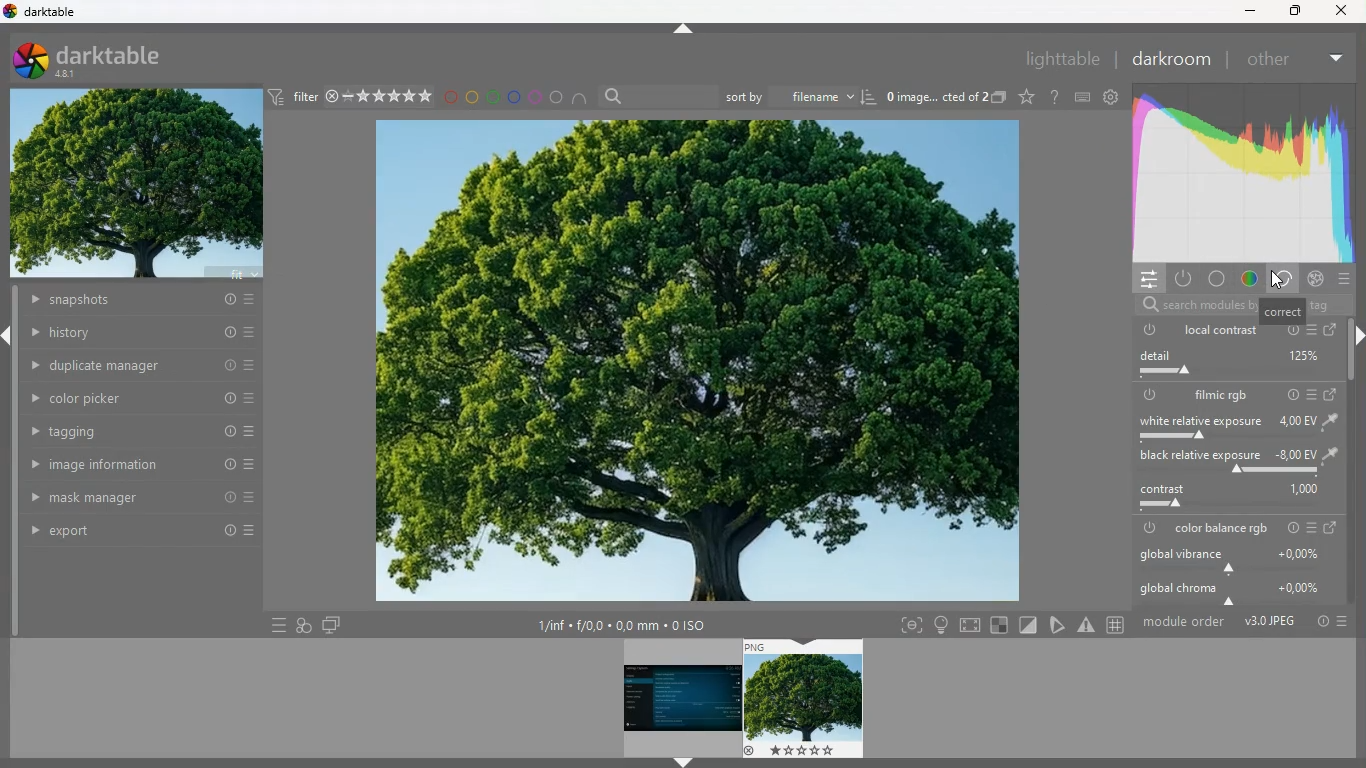 This screenshot has width=1366, height=768. Describe the element at coordinates (535, 97) in the screenshot. I see `pink` at that location.